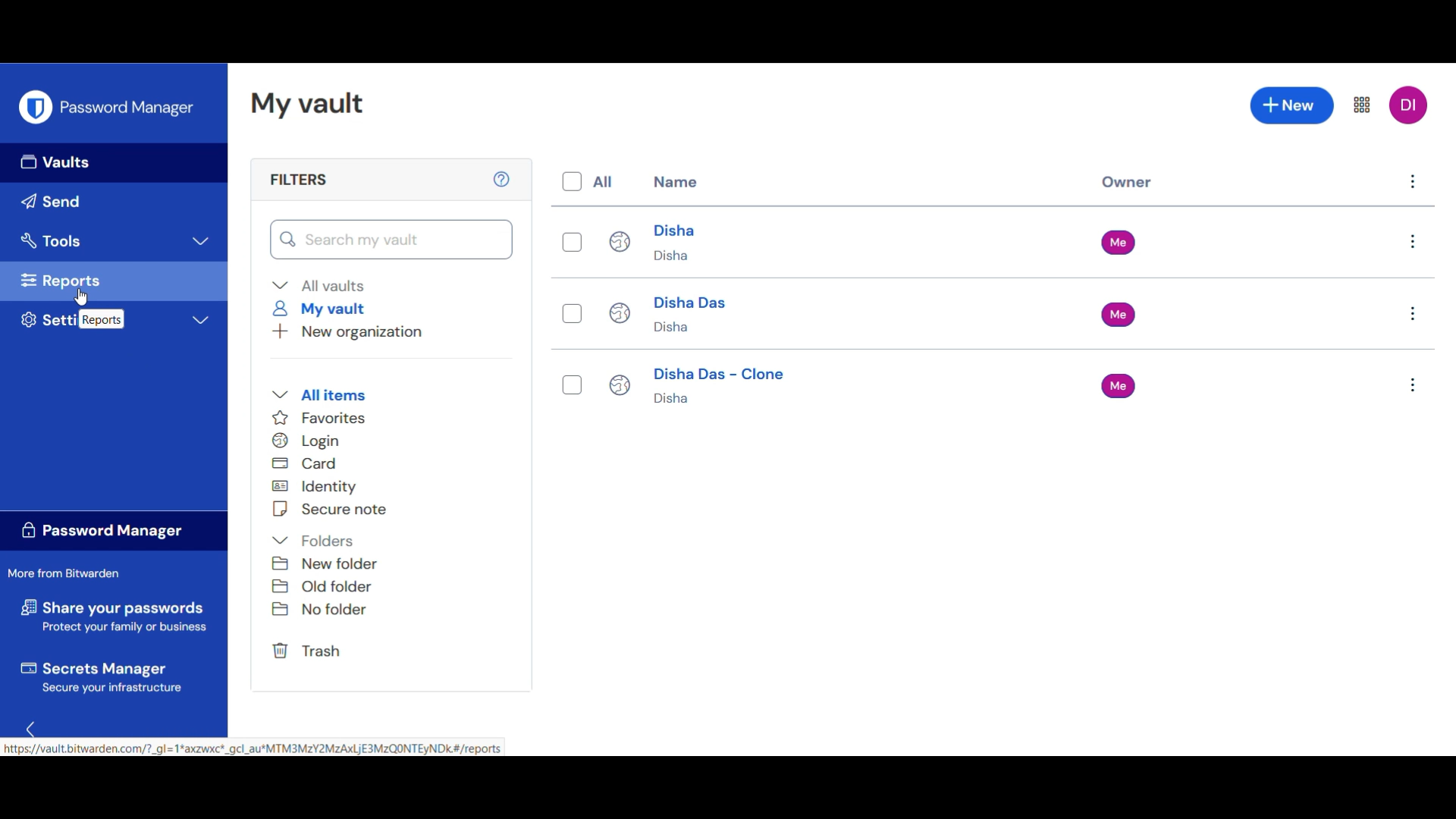  What do you see at coordinates (503, 179) in the screenshot?
I see `Learn more` at bounding box center [503, 179].